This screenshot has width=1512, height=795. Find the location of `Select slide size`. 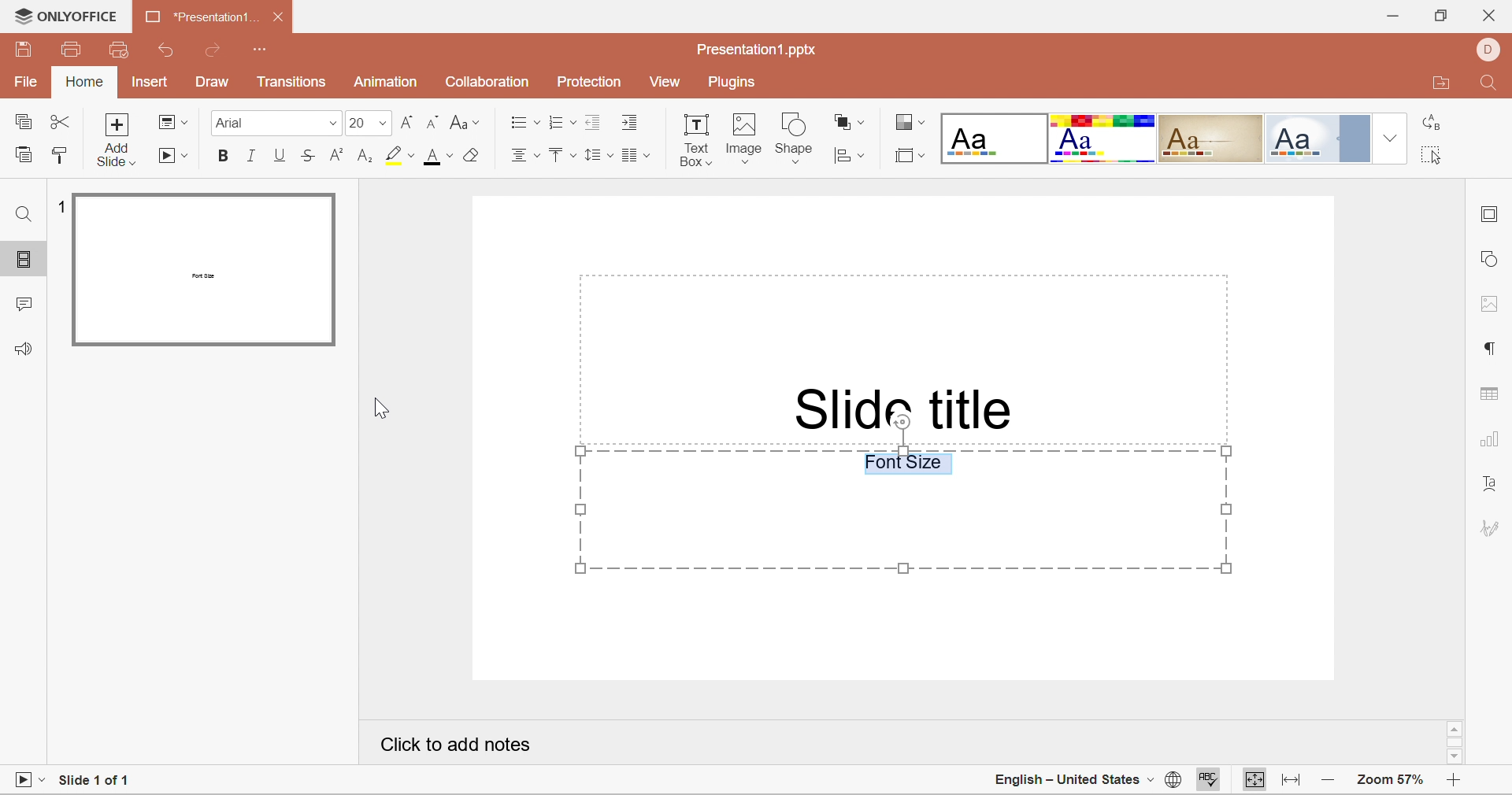

Select slide size is located at coordinates (910, 155).